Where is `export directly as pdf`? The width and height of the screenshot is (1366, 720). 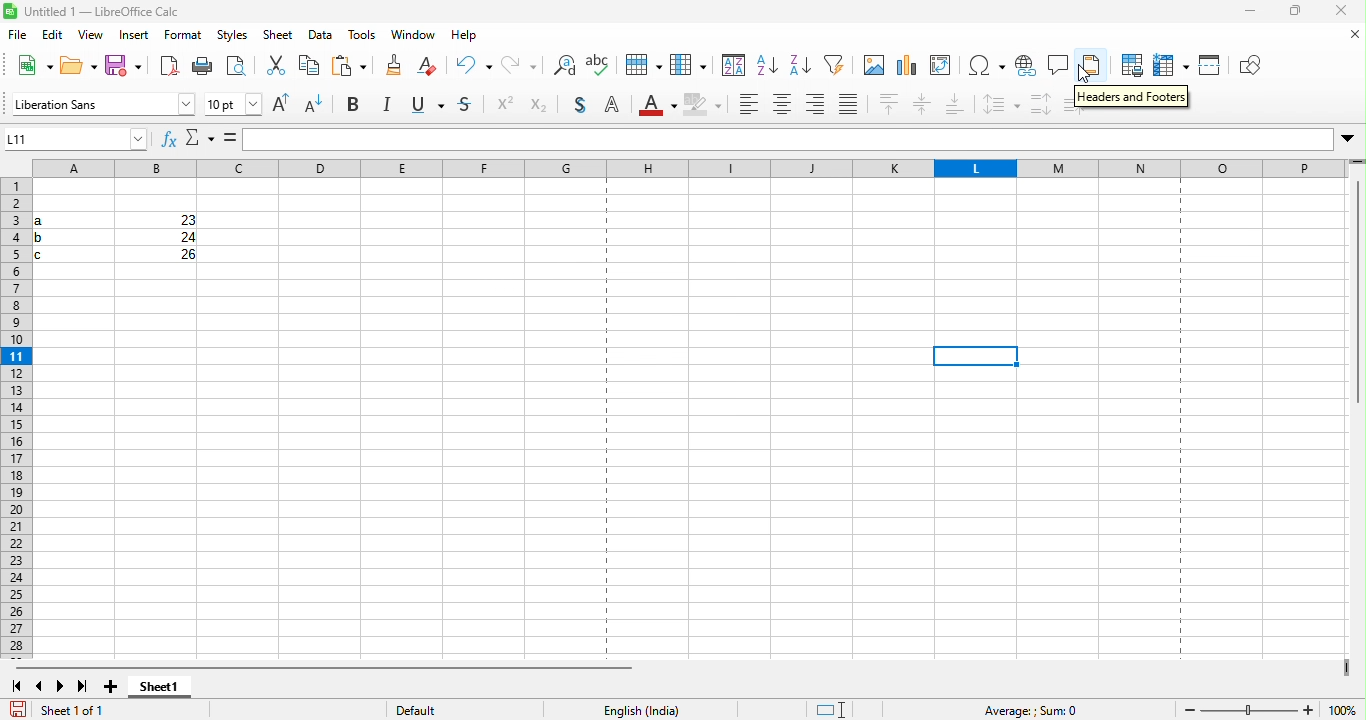
export directly as pdf is located at coordinates (166, 67).